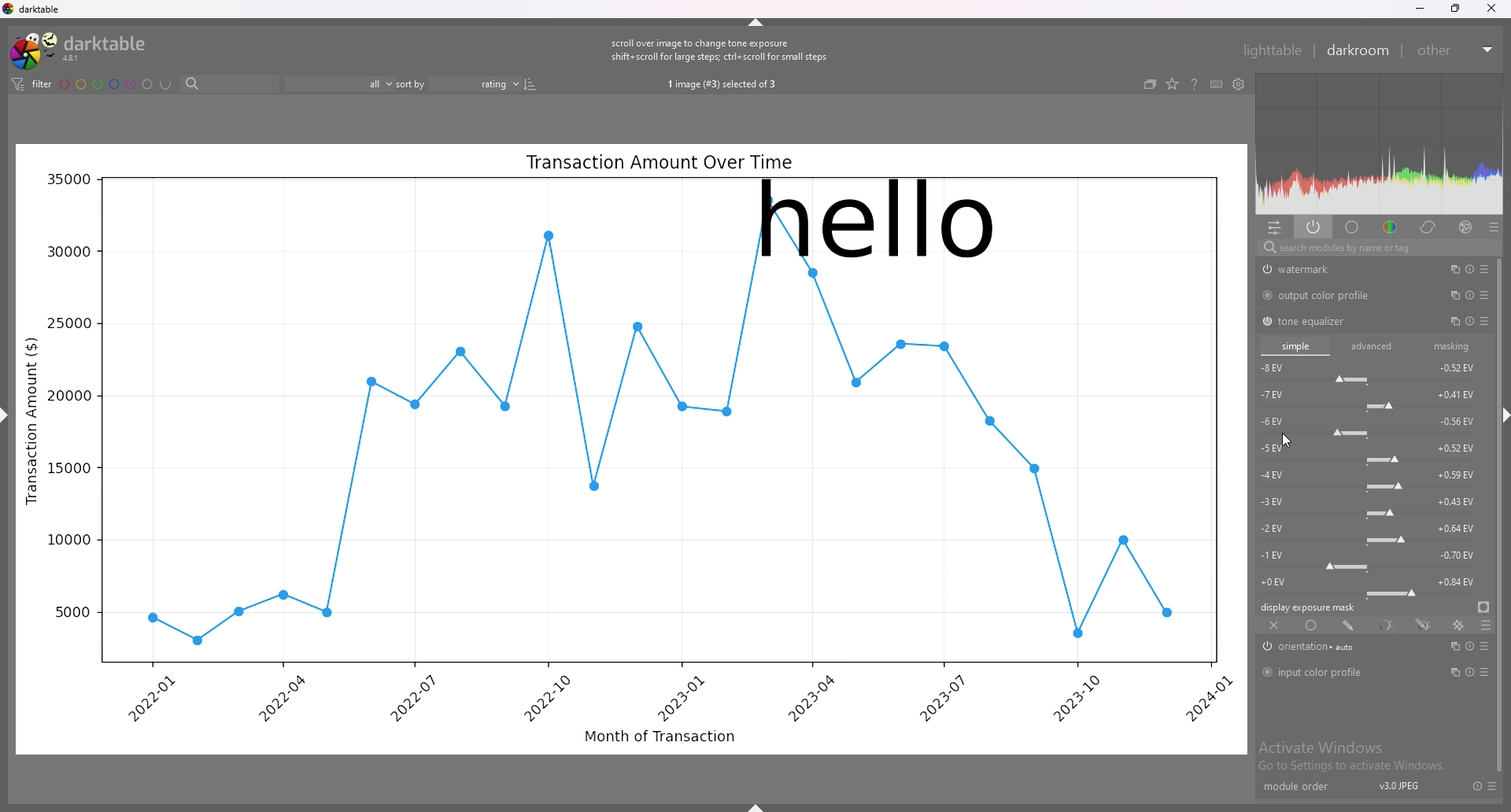 Image resolution: width=1511 pixels, height=812 pixels. Describe the element at coordinates (1369, 371) in the screenshot. I see `-8 EV force` at that location.